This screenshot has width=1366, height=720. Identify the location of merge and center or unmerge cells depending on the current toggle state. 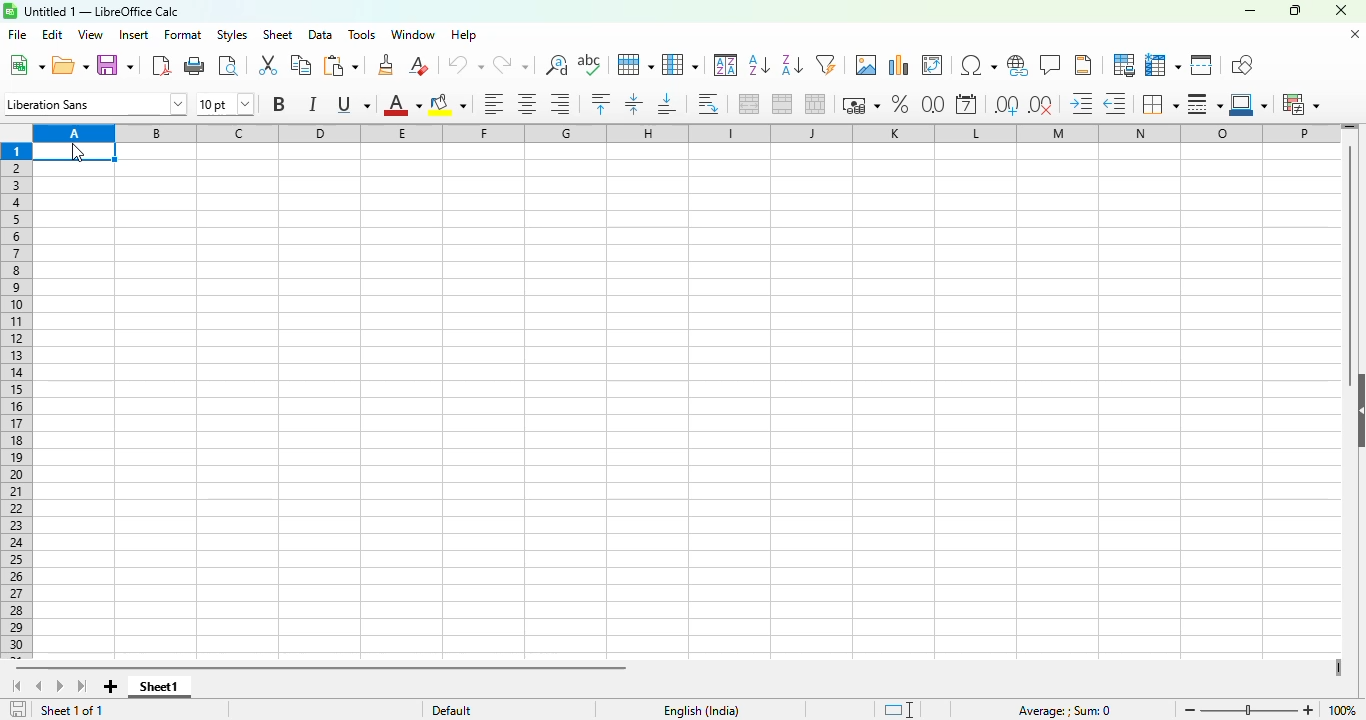
(750, 104).